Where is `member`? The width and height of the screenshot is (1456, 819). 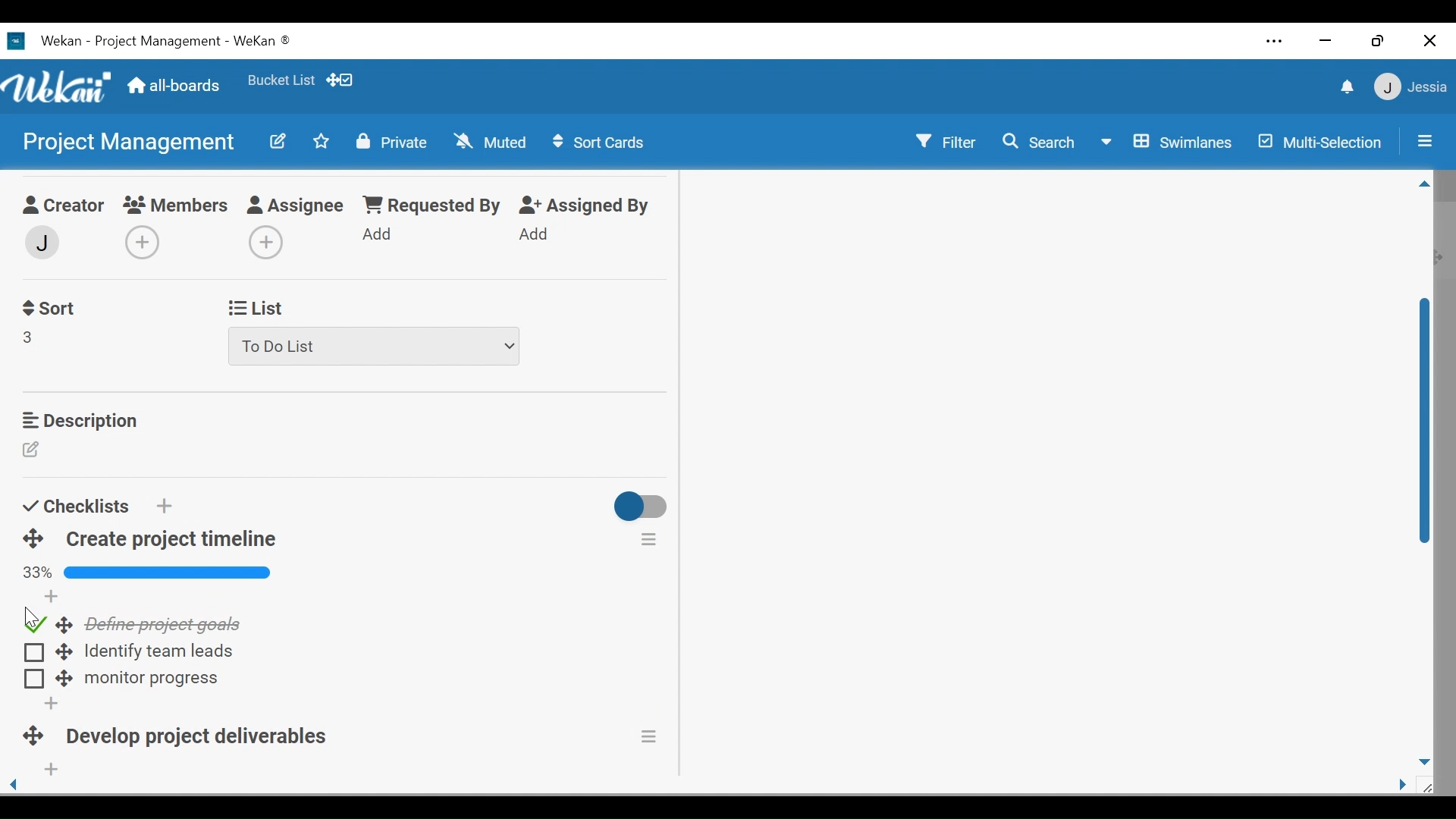
member is located at coordinates (40, 243).